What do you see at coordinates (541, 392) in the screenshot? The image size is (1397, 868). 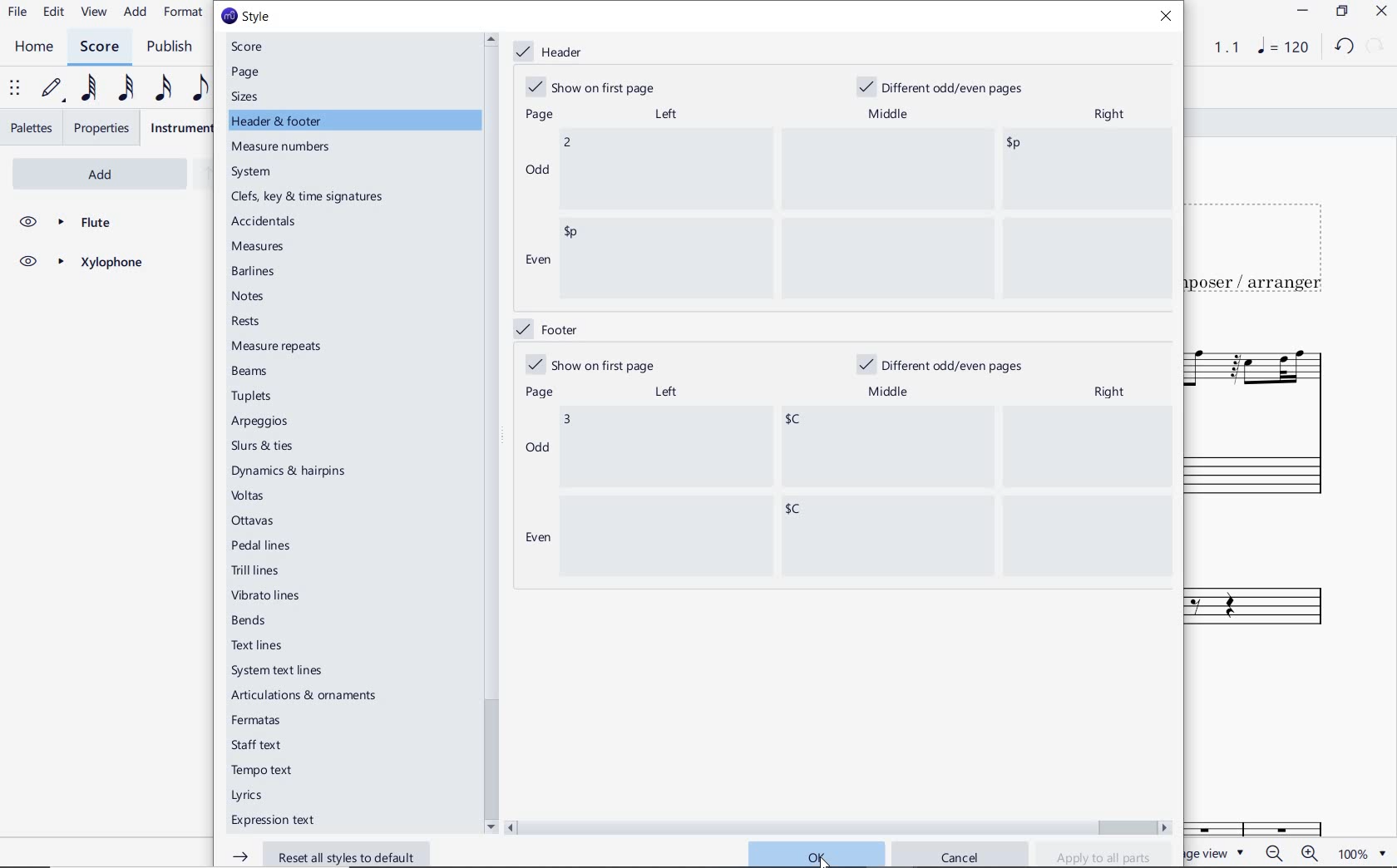 I see `page` at bounding box center [541, 392].